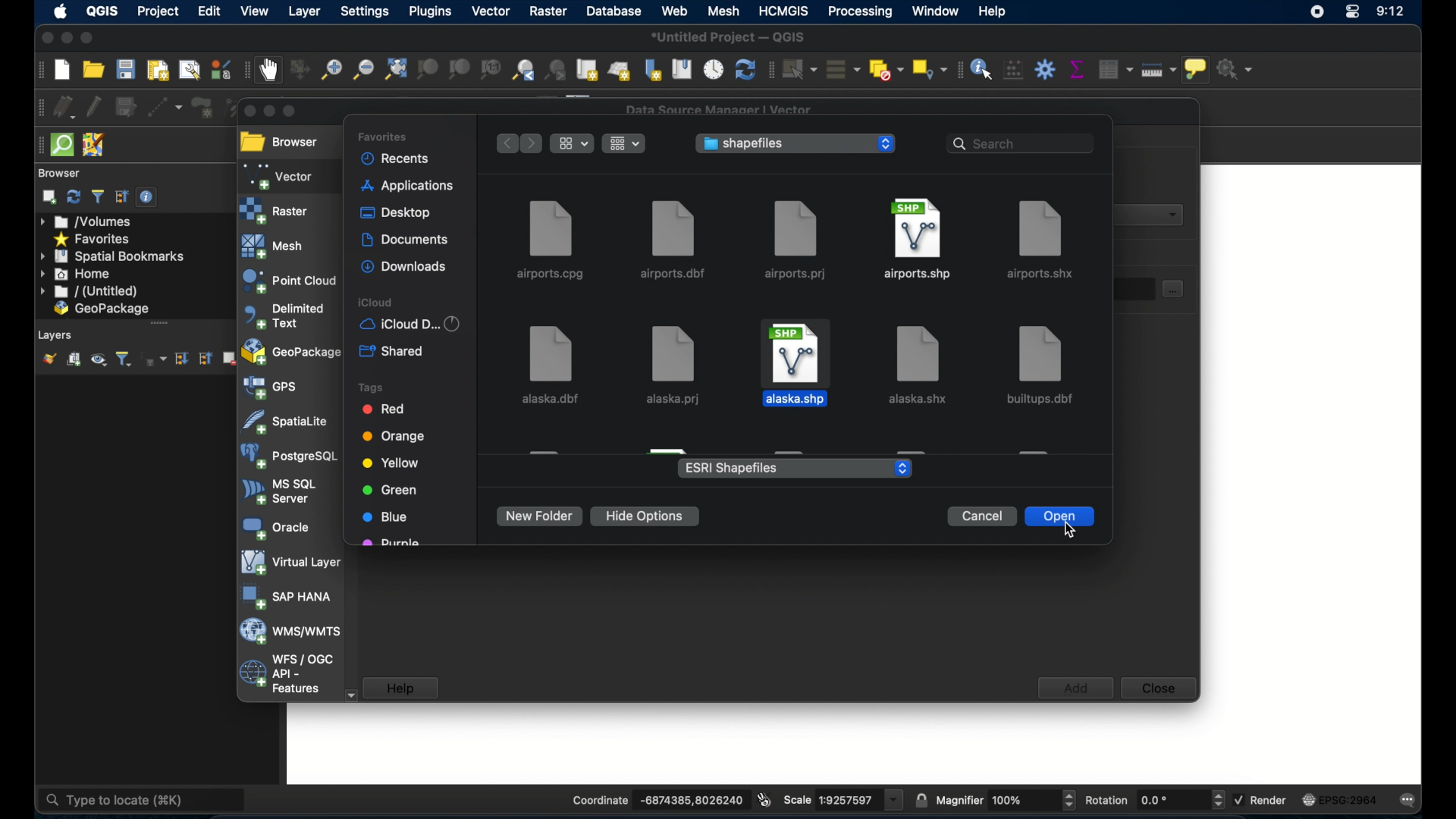 This screenshot has height=819, width=1456. I want to click on blue, so click(384, 516).